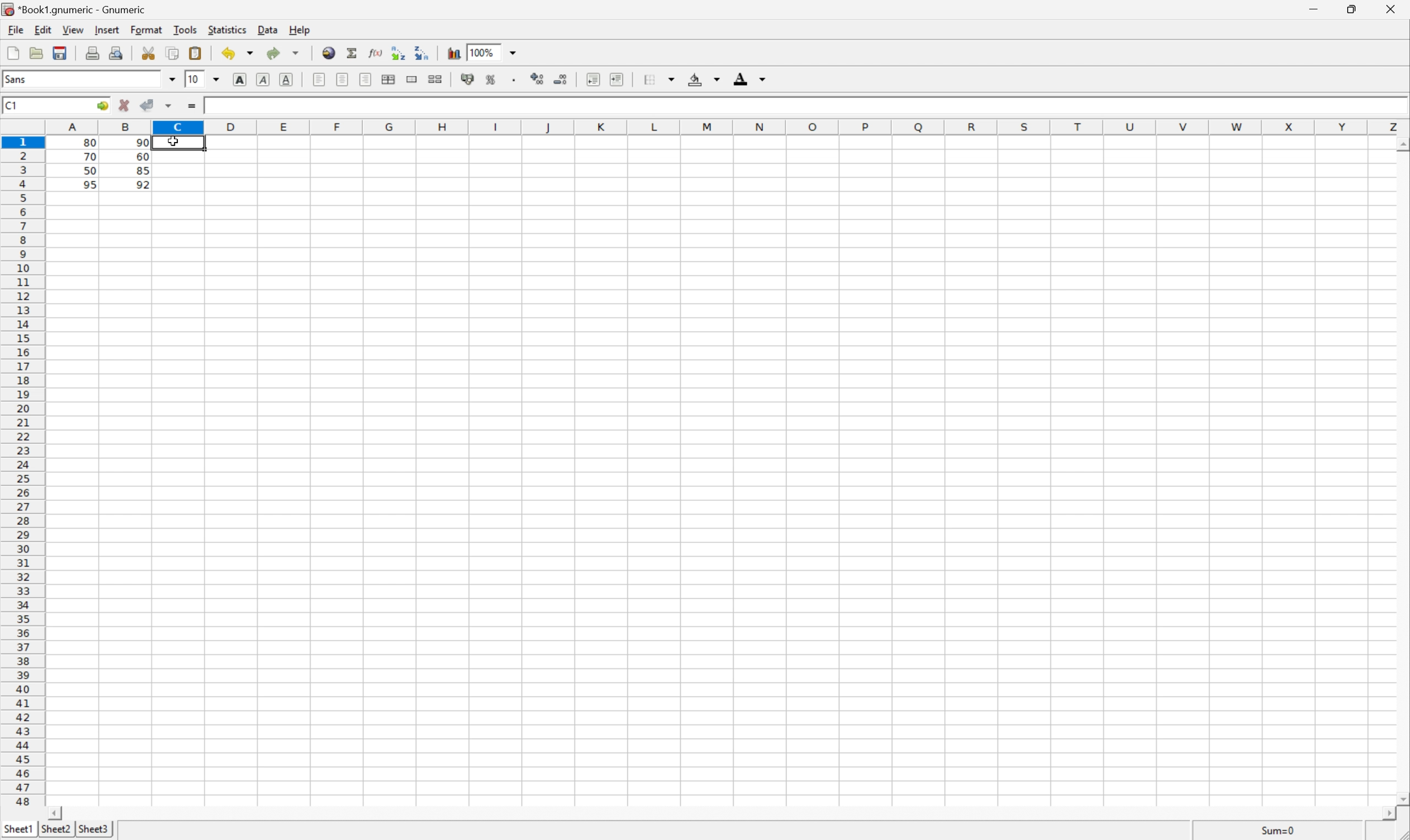 This screenshot has width=1410, height=840. Describe the element at coordinates (117, 53) in the screenshot. I see `Print preview` at that location.